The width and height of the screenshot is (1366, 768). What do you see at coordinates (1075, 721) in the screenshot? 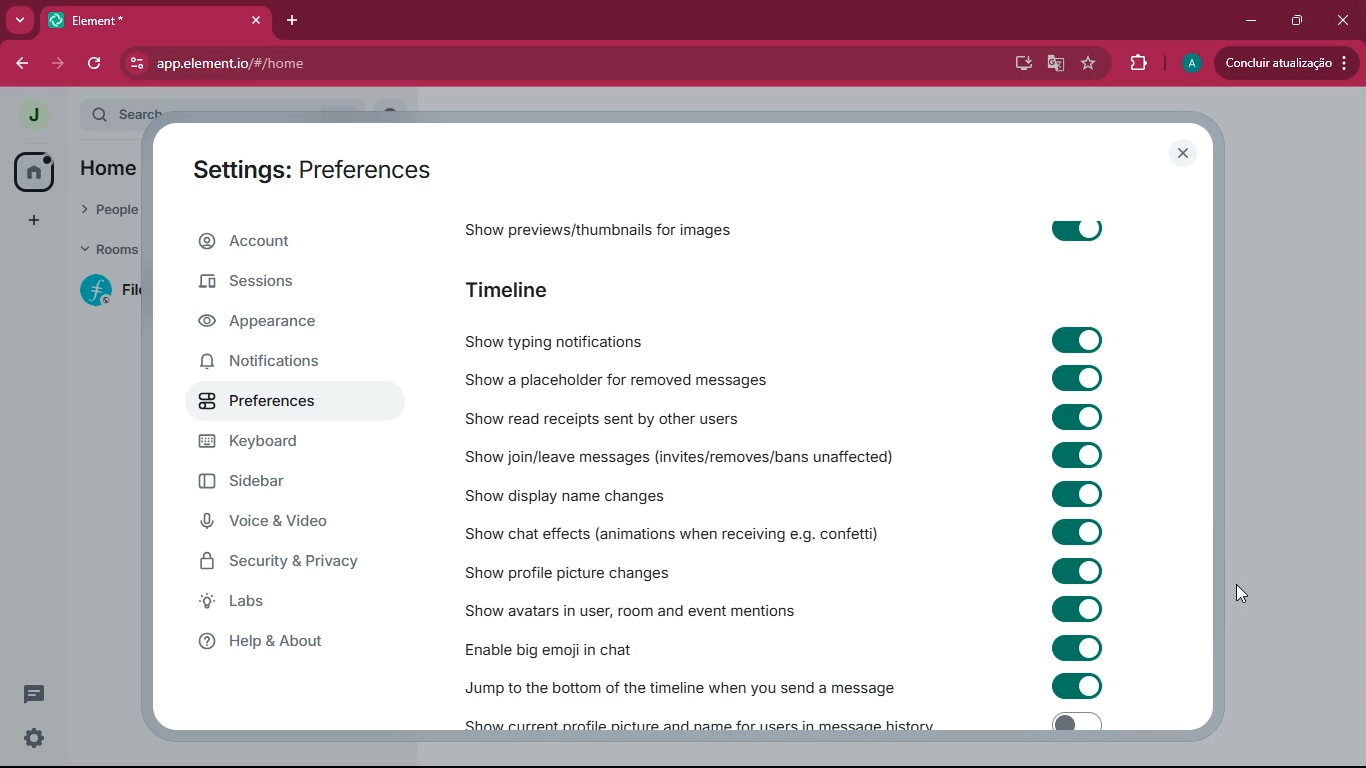
I see `toggle on ` at bounding box center [1075, 721].